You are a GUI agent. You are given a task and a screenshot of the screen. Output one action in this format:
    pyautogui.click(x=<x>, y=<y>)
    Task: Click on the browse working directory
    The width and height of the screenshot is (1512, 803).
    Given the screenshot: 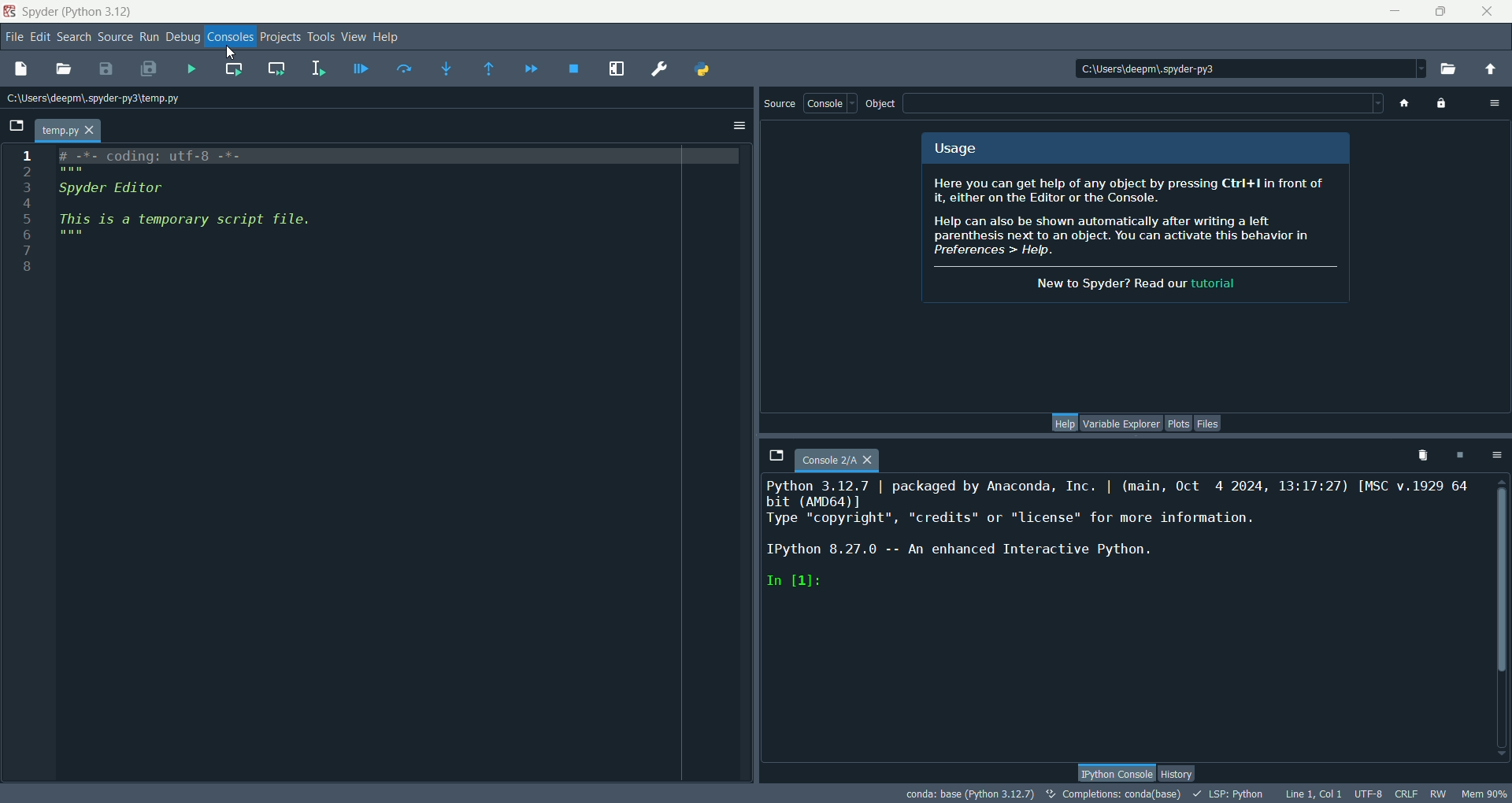 What is the action you would take?
    pyautogui.click(x=1450, y=65)
    